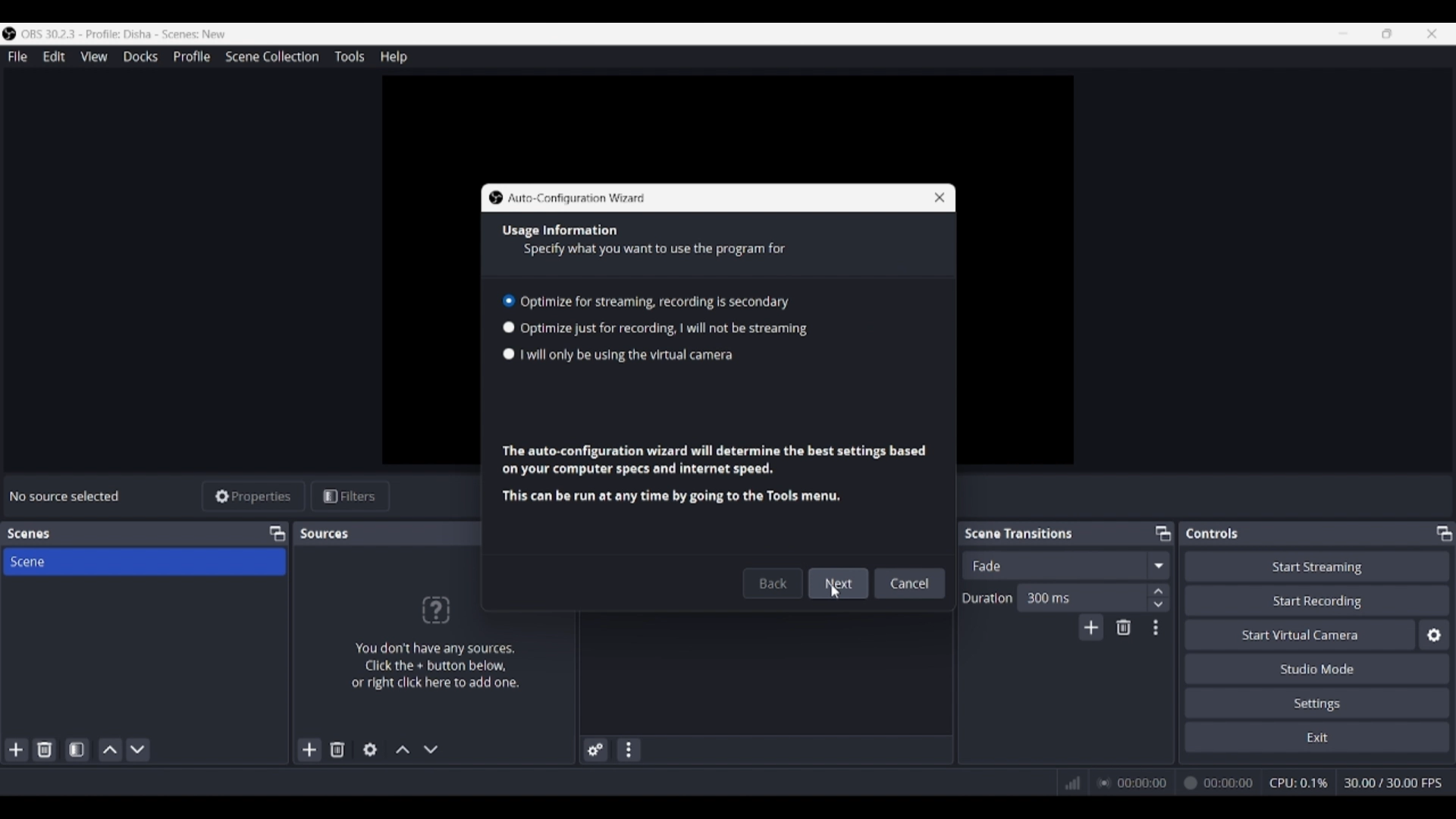 This screenshot has height=819, width=1456. Describe the element at coordinates (938, 201) in the screenshot. I see `Close` at that location.